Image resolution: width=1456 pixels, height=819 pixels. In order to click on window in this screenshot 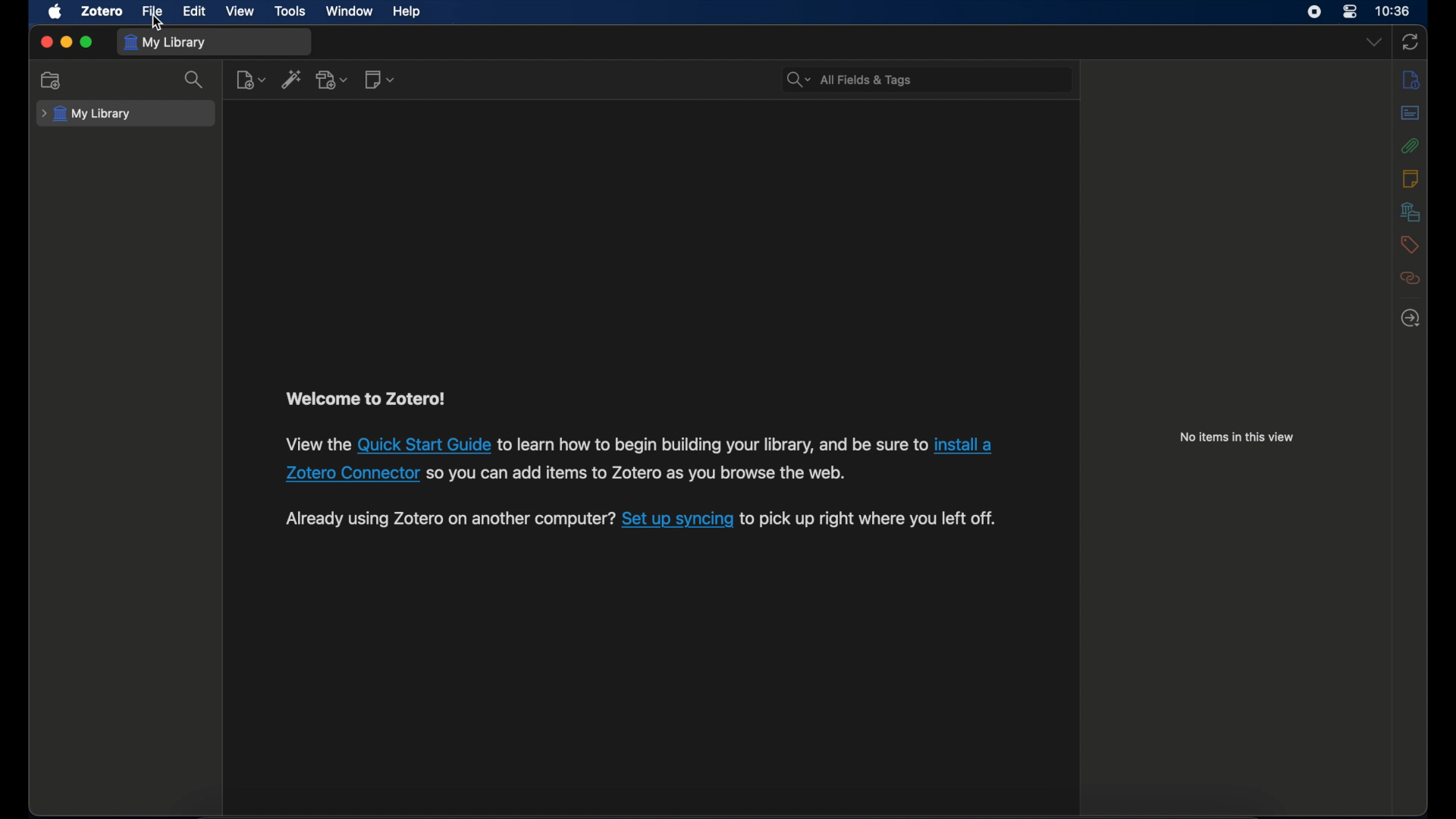, I will do `click(350, 11)`.